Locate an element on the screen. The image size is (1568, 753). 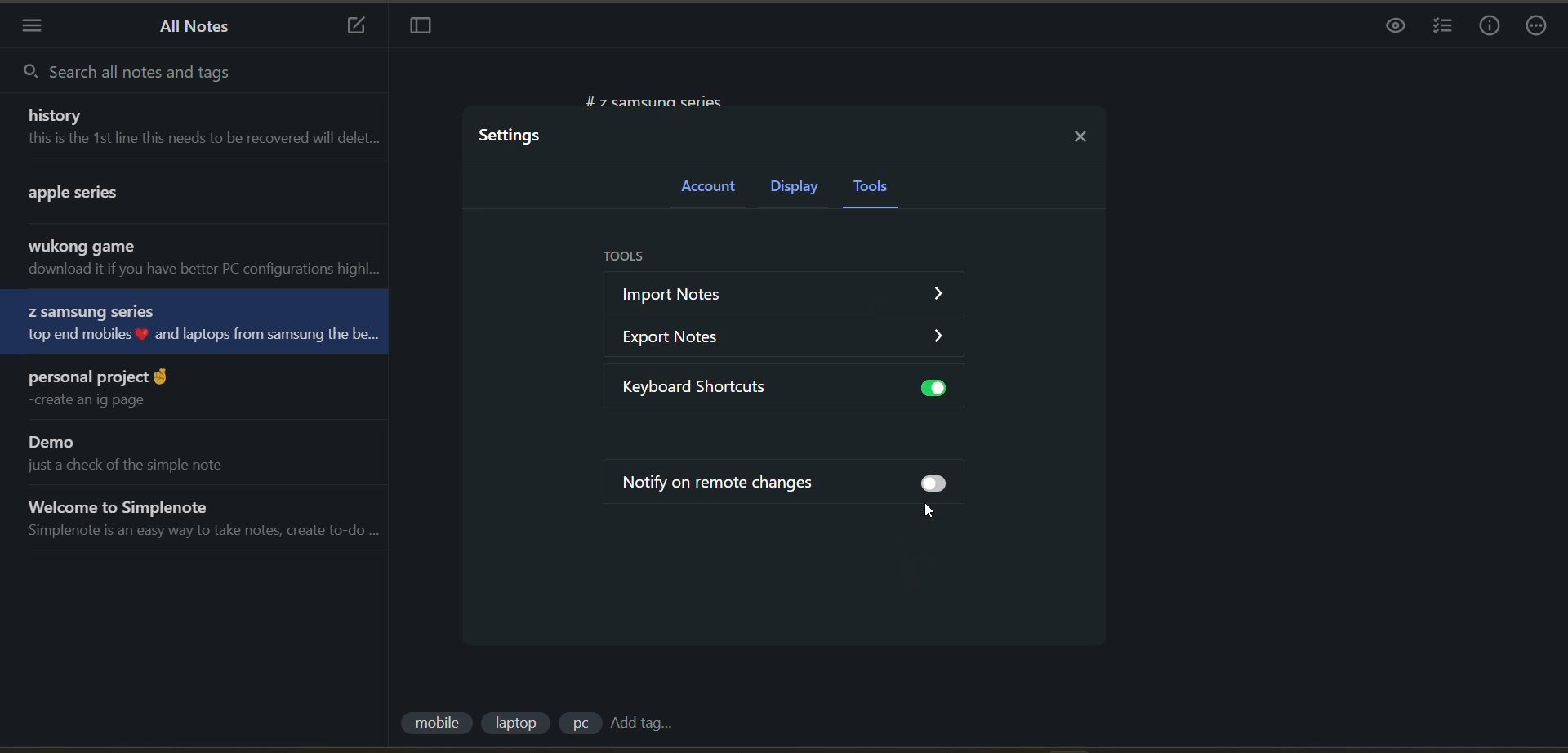
display is located at coordinates (792, 189).